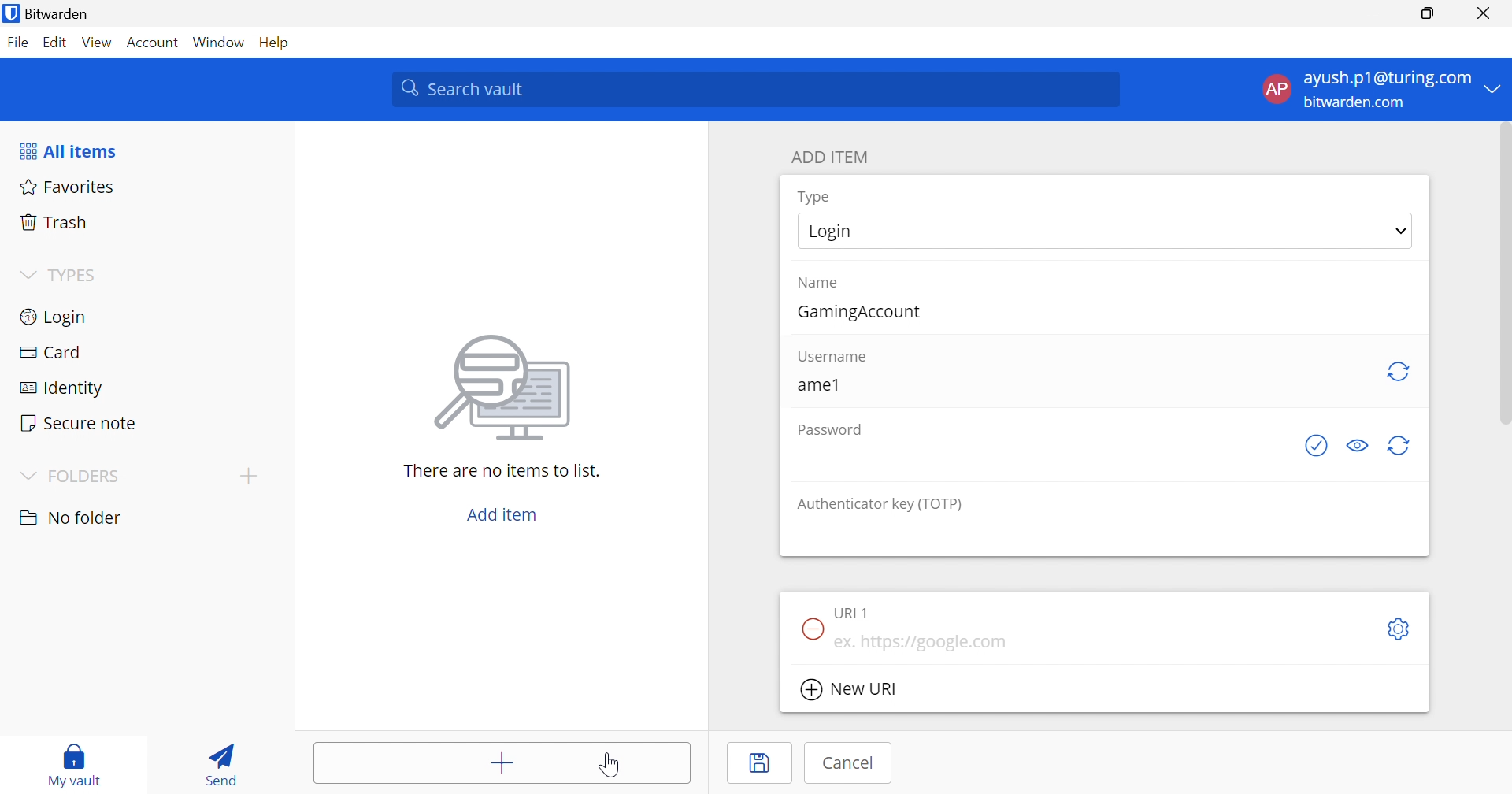 This screenshot has height=794, width=1512. Describe the element at coordinates (1497, 87) in the screenshot. I see `Drop Down` at that location.